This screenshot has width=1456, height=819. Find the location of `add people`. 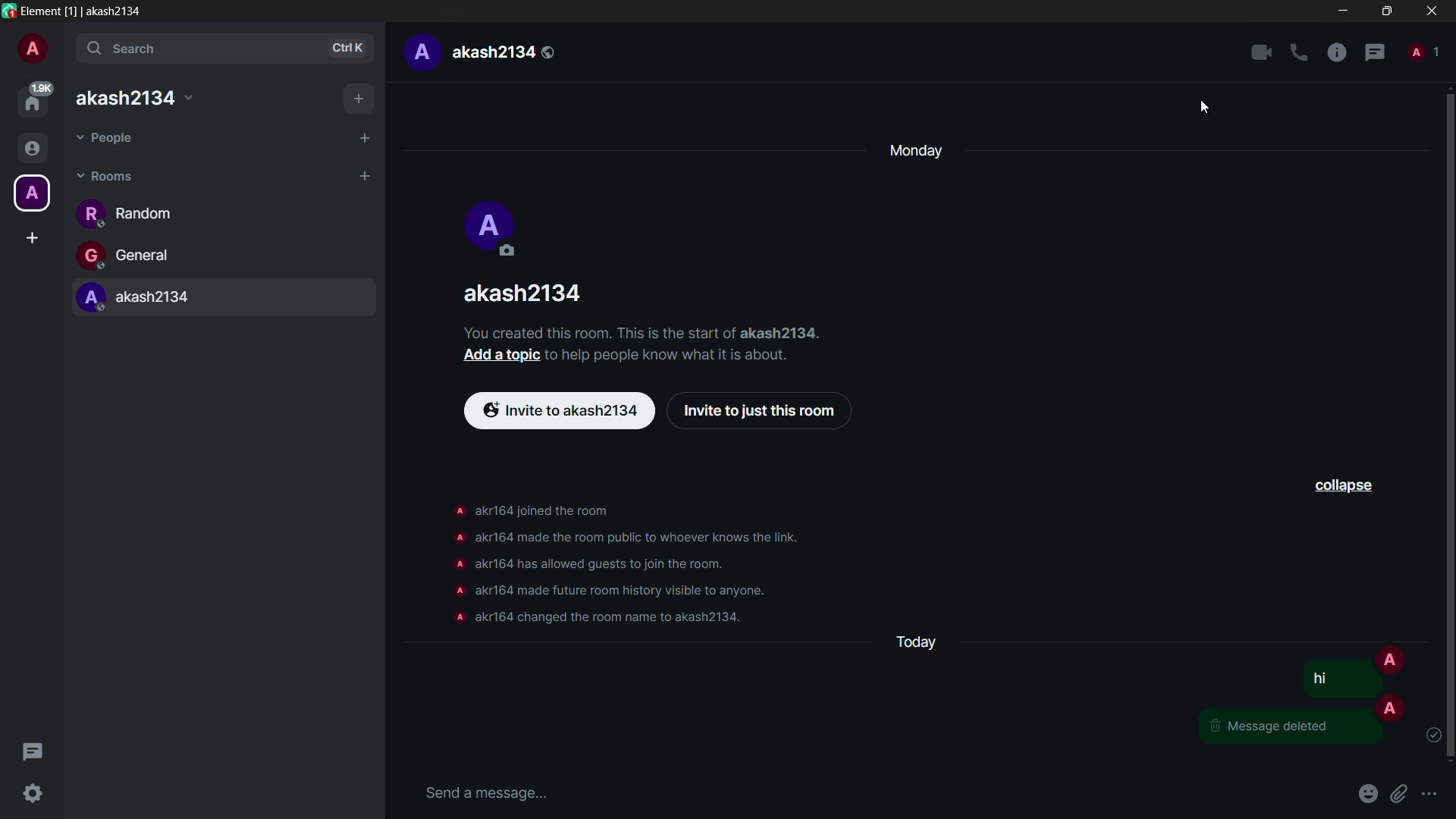

add people is located at coordinates (365, 138).